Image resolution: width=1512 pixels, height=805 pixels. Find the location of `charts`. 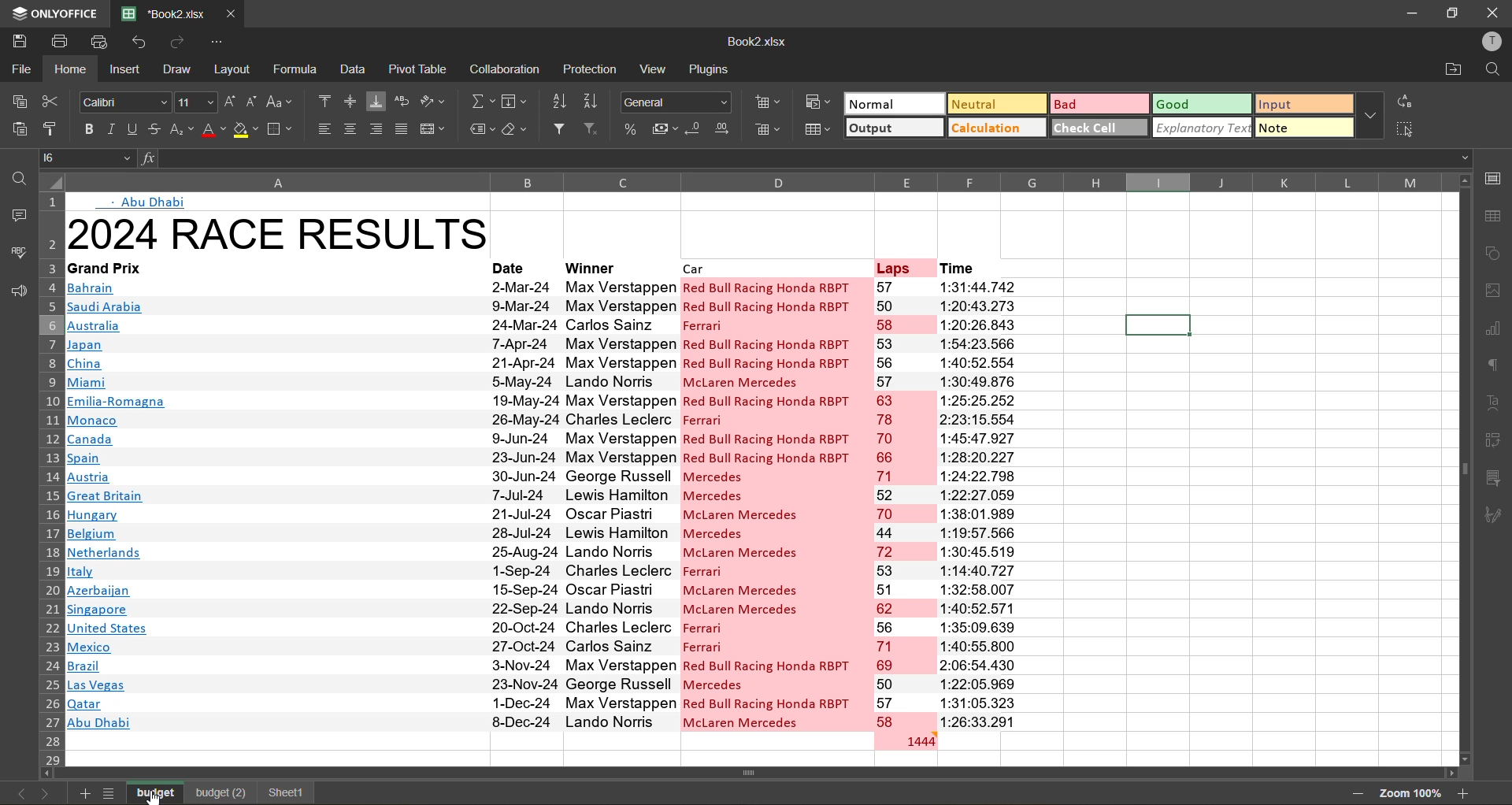

charts is located at coordinates (1495, 331).